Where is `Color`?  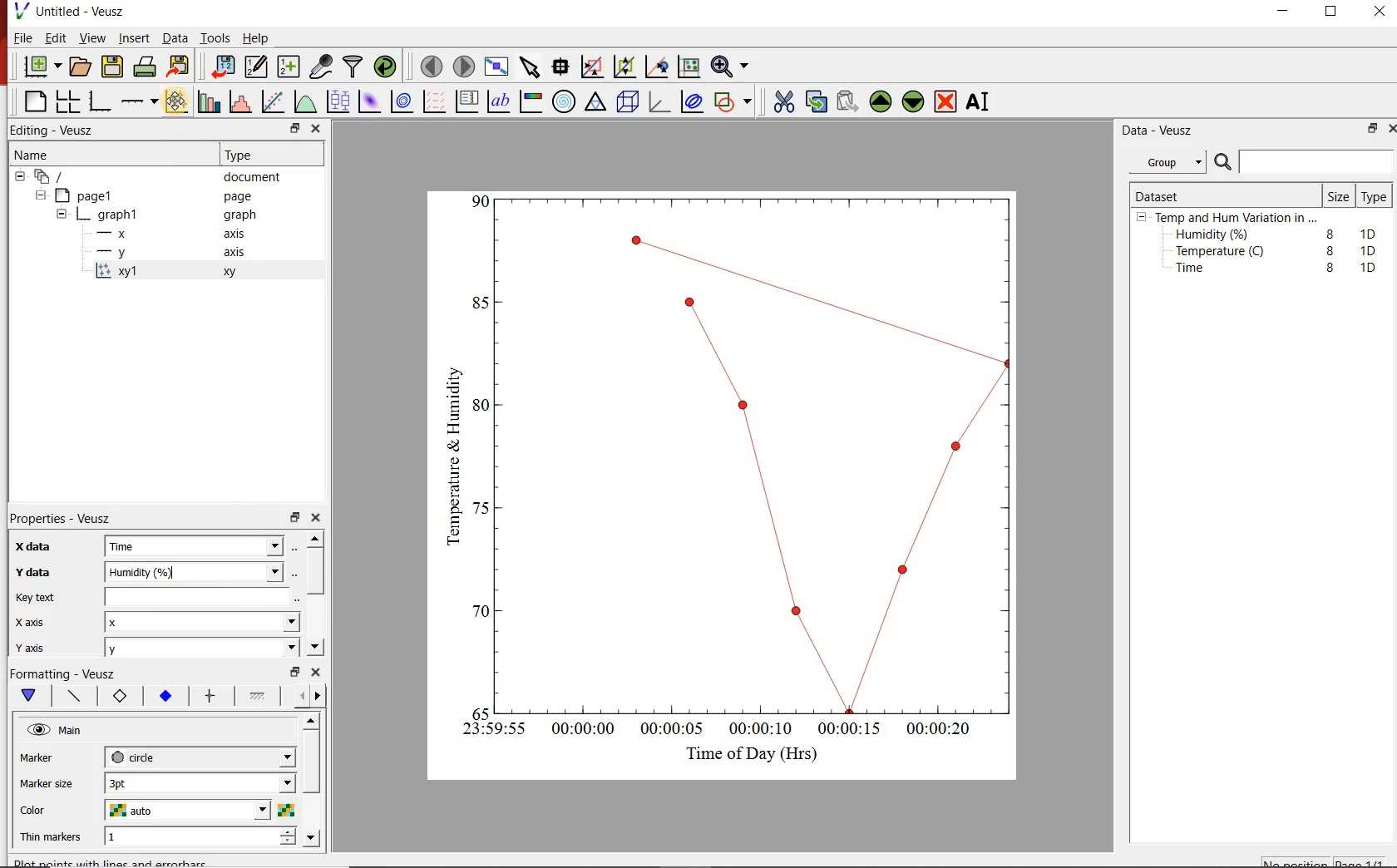 Color is located at coordinates (52, 811).